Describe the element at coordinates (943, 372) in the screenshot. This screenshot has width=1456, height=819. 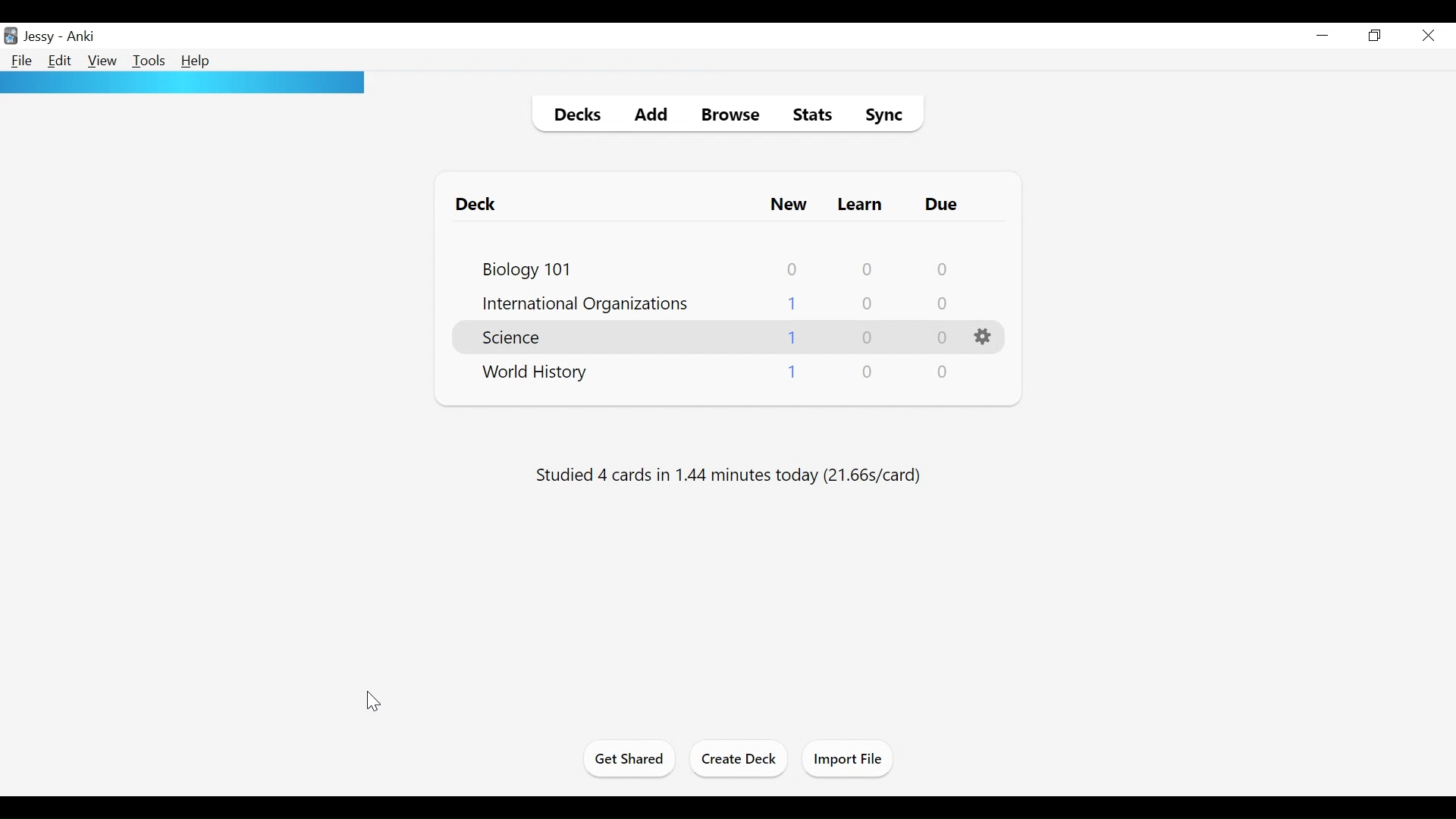
I see `Due Cards Count` at that location.